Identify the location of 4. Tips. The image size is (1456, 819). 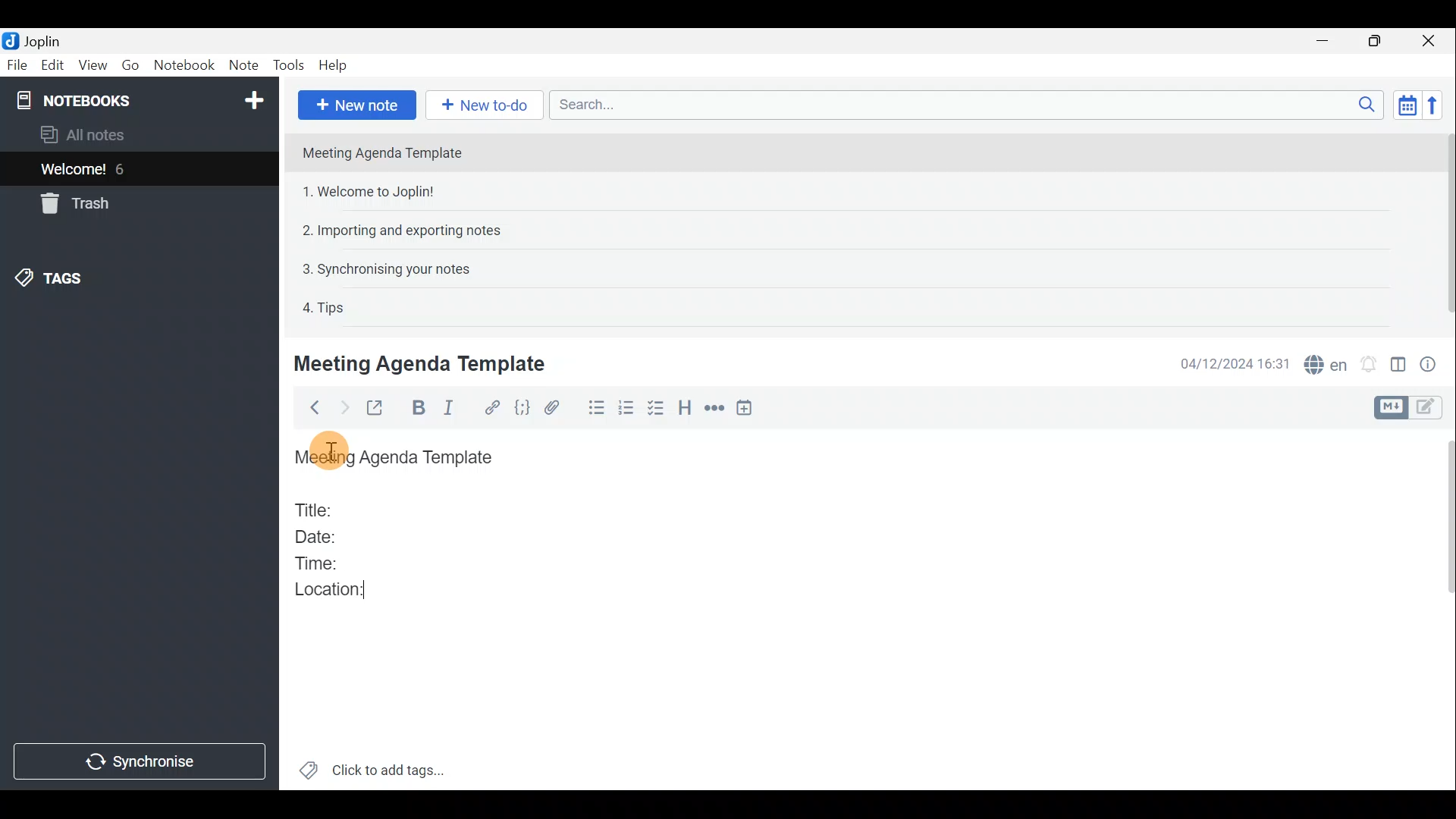
(325, 307).